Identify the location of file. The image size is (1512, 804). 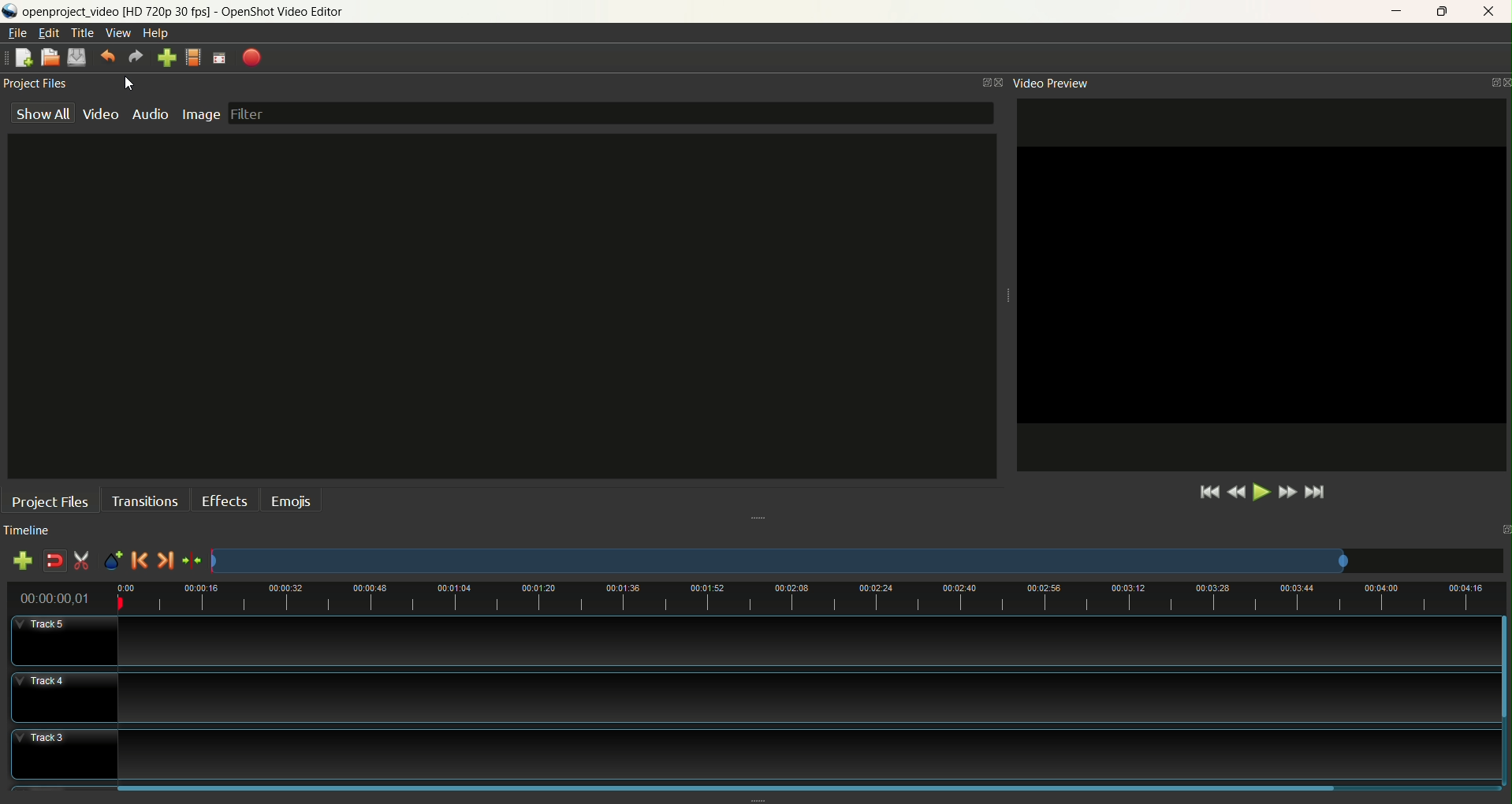
(17, 33).